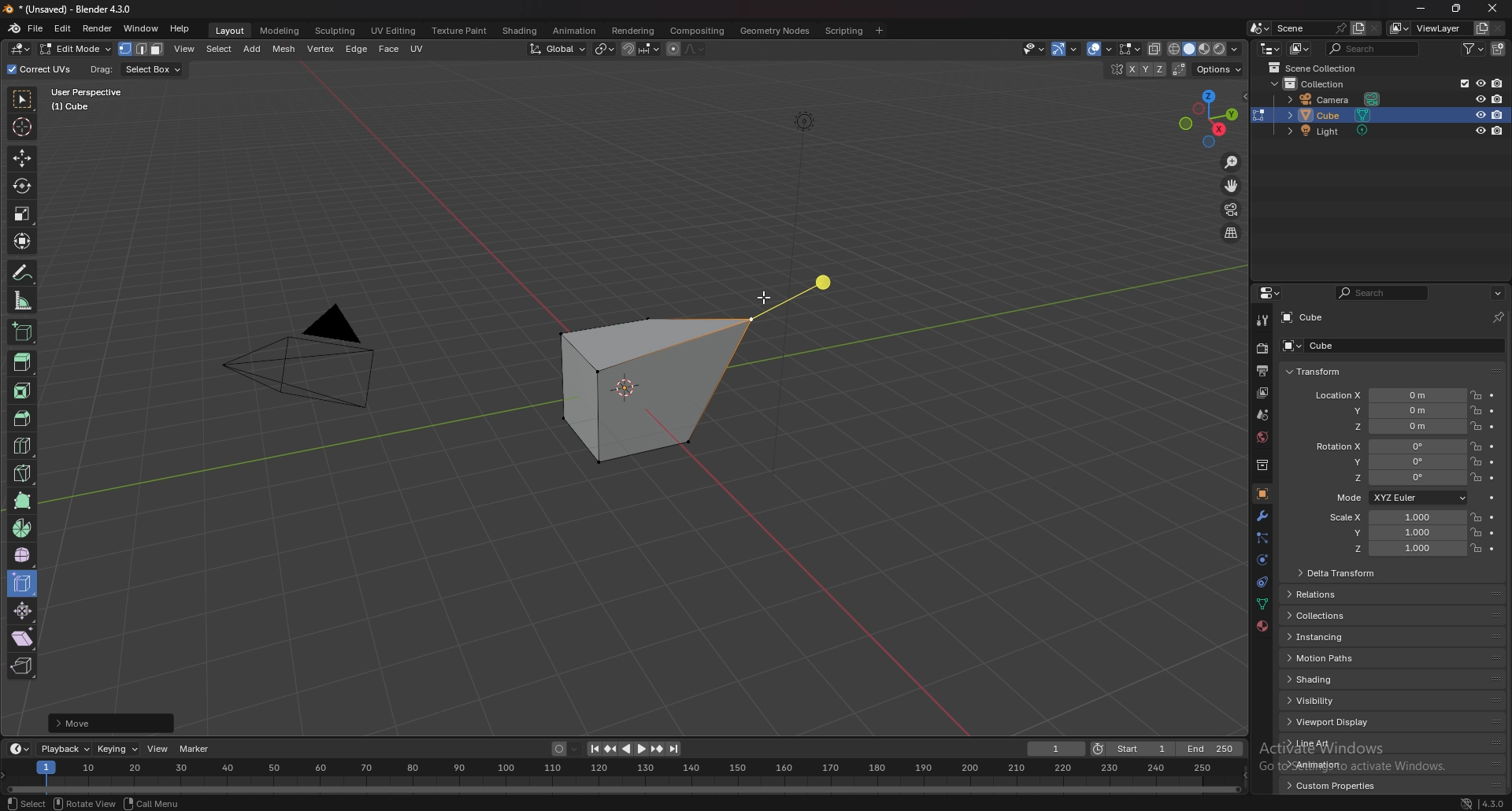 The height and width of the screenshot is (811, 1512). What do you see at coordinates (605, 49) in the screenshot?
I see `transform pivot point` at bounding box center [605, 49].